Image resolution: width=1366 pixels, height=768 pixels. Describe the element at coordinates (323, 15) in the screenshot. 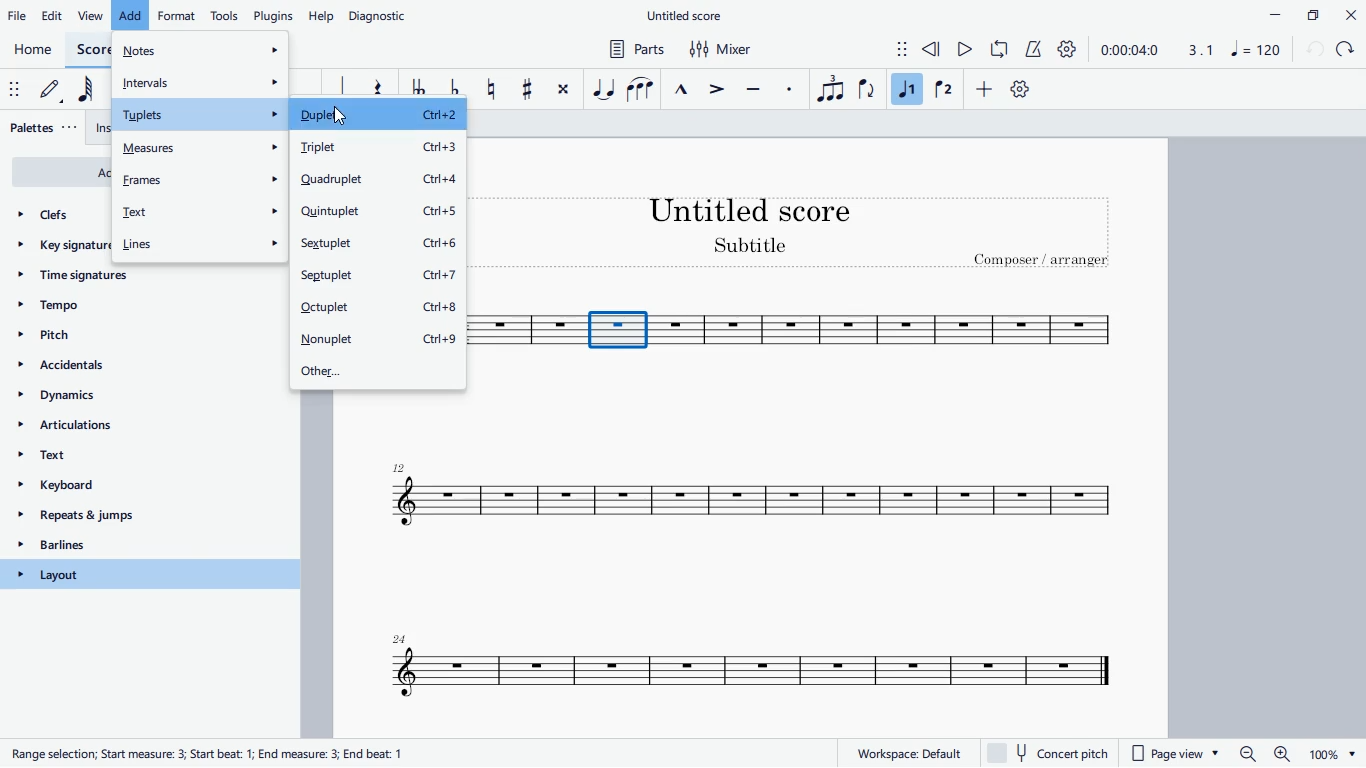

I see `help` at that location.